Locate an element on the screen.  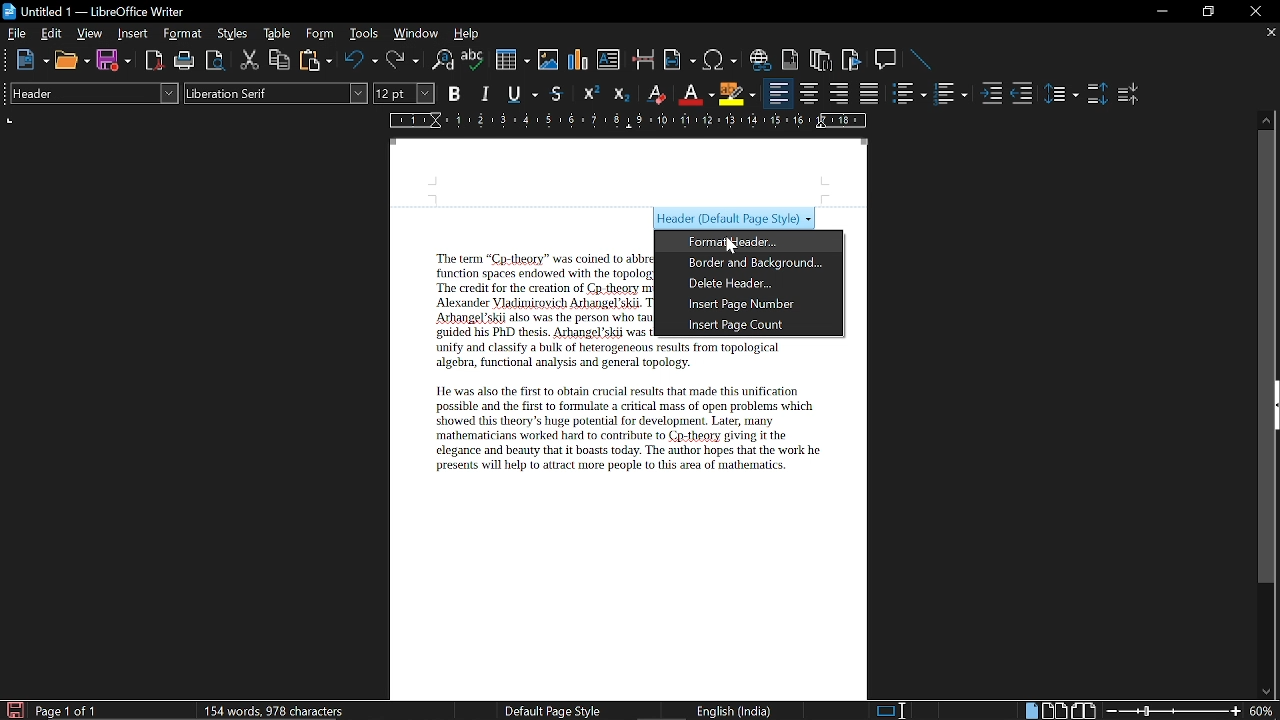
Standard seleciton is located at coordinates (895, 711).